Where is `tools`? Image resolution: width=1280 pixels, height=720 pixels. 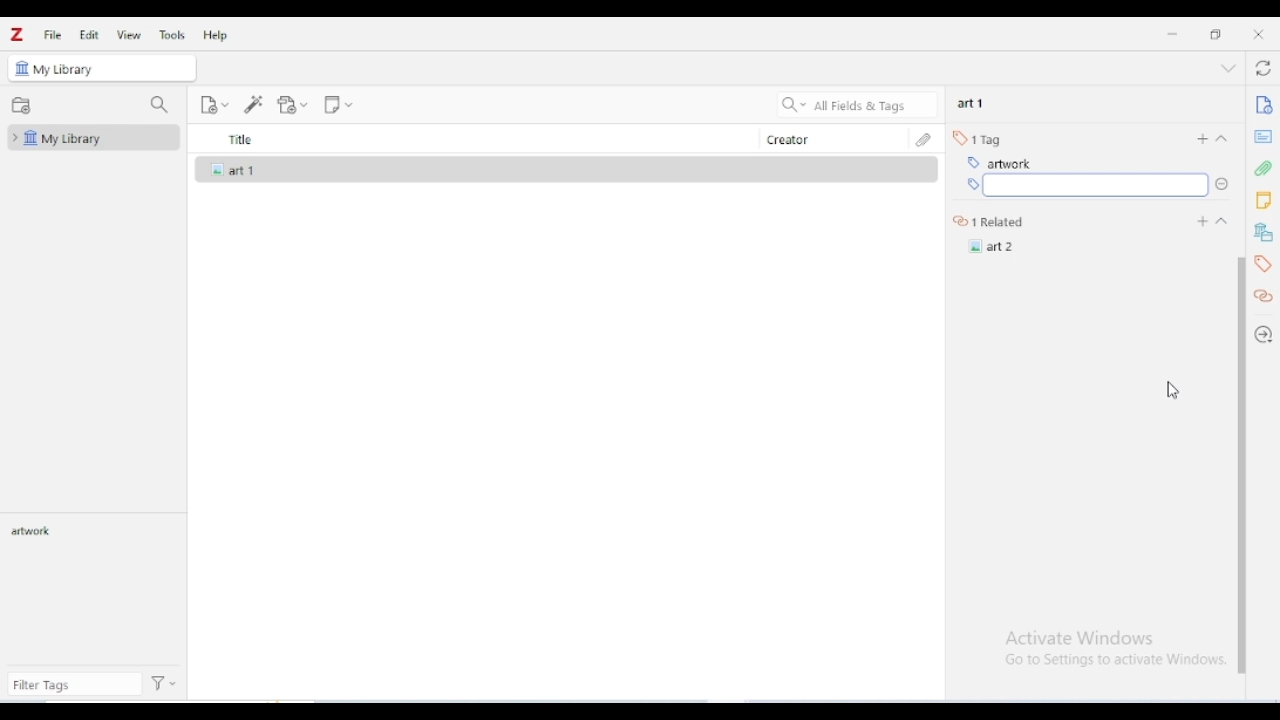 tools is located at coordinates (172, 35).